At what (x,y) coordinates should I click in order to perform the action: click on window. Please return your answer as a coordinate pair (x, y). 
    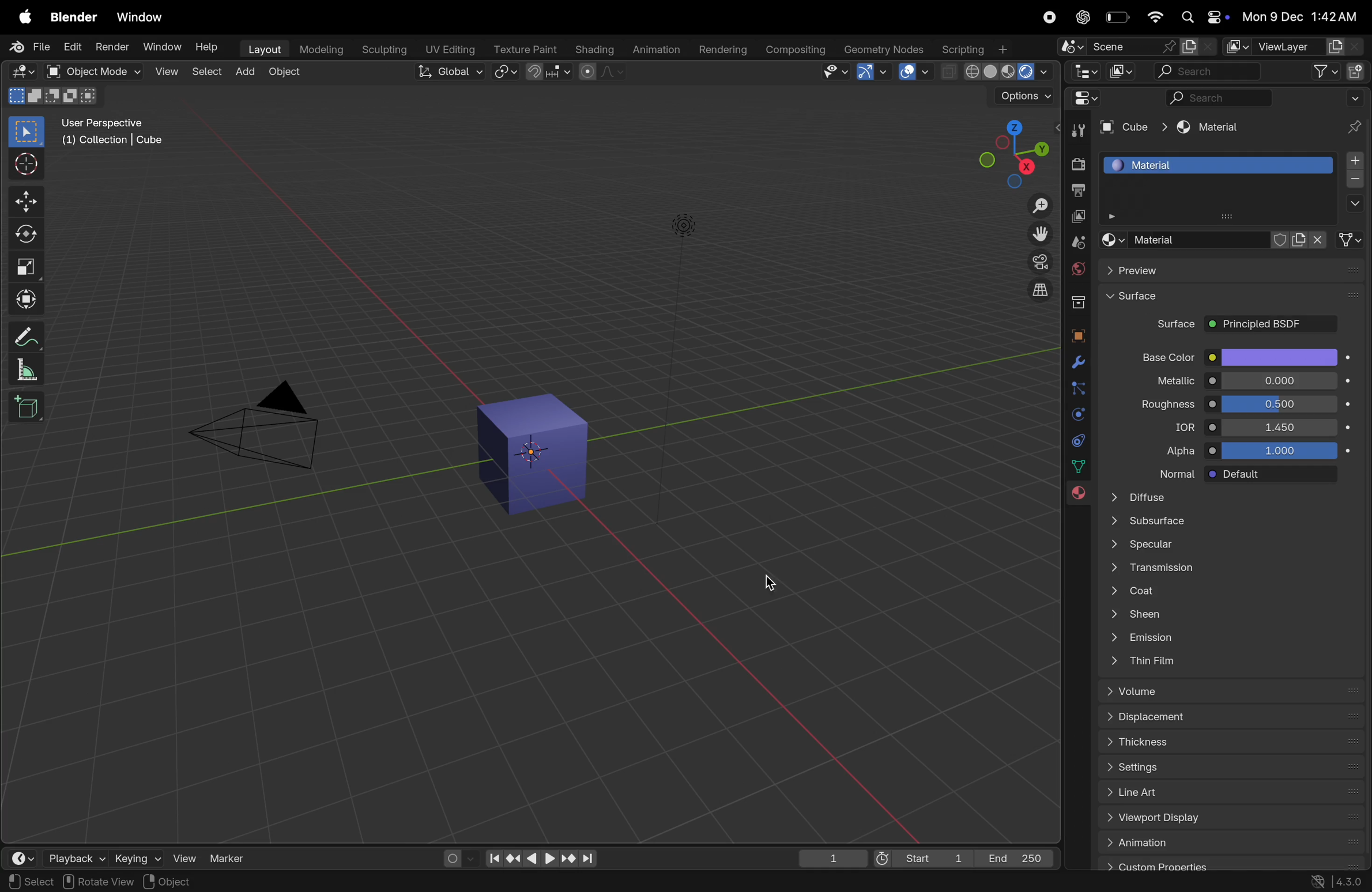
    Looking at the image, I should click on (163, 48).